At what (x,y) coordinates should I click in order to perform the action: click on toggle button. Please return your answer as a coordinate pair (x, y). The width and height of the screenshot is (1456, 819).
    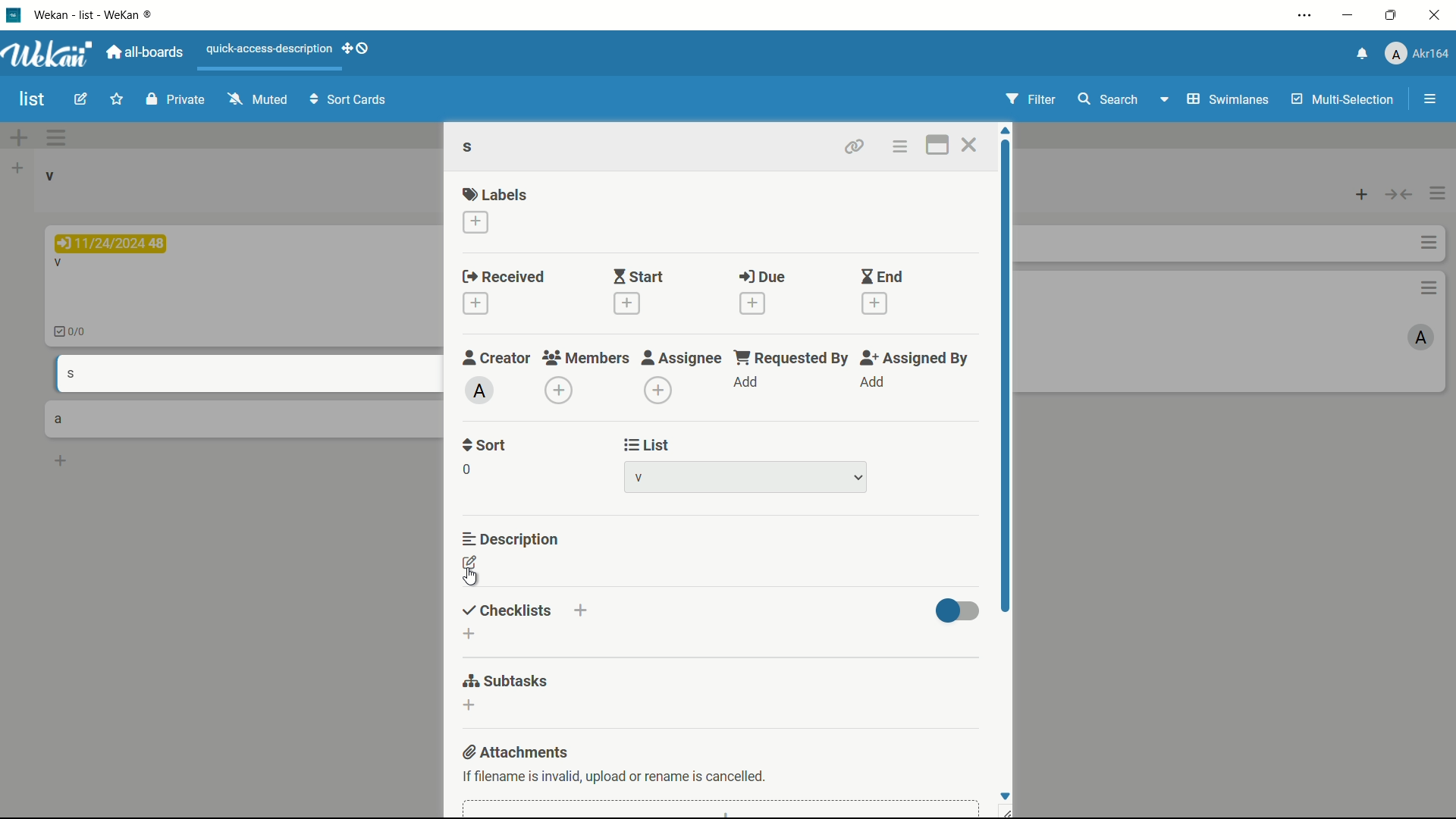
    Looking at the image, I should click on (959, 610).